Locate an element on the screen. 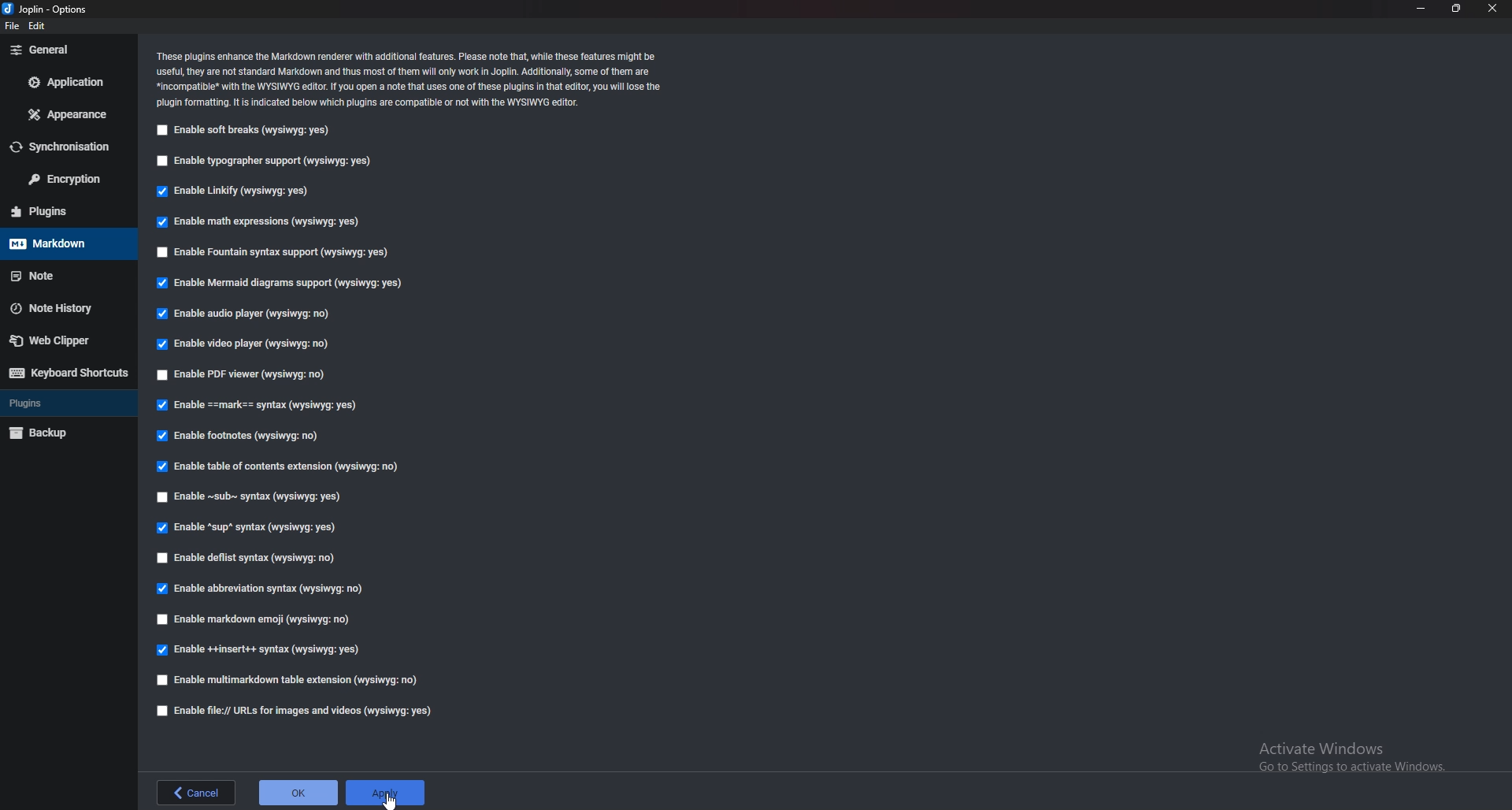 The height and width of the screenshot is (810, 1512). enable video player is located at coordinates (241, 346).